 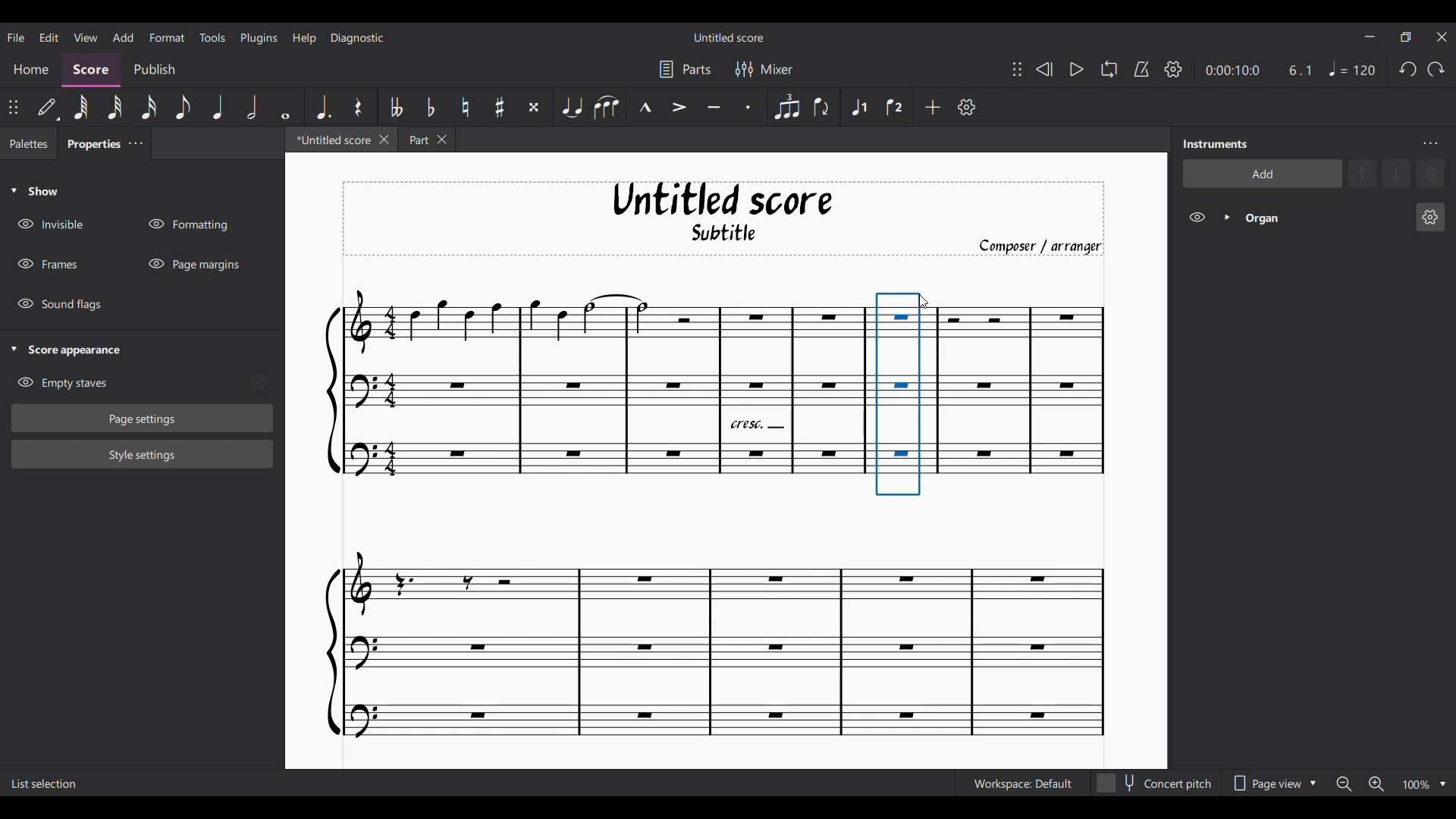 What do you see at coordinates (426, 139) in the screenshot?
I see `Earlier tab` at bounding box center [426, 139].